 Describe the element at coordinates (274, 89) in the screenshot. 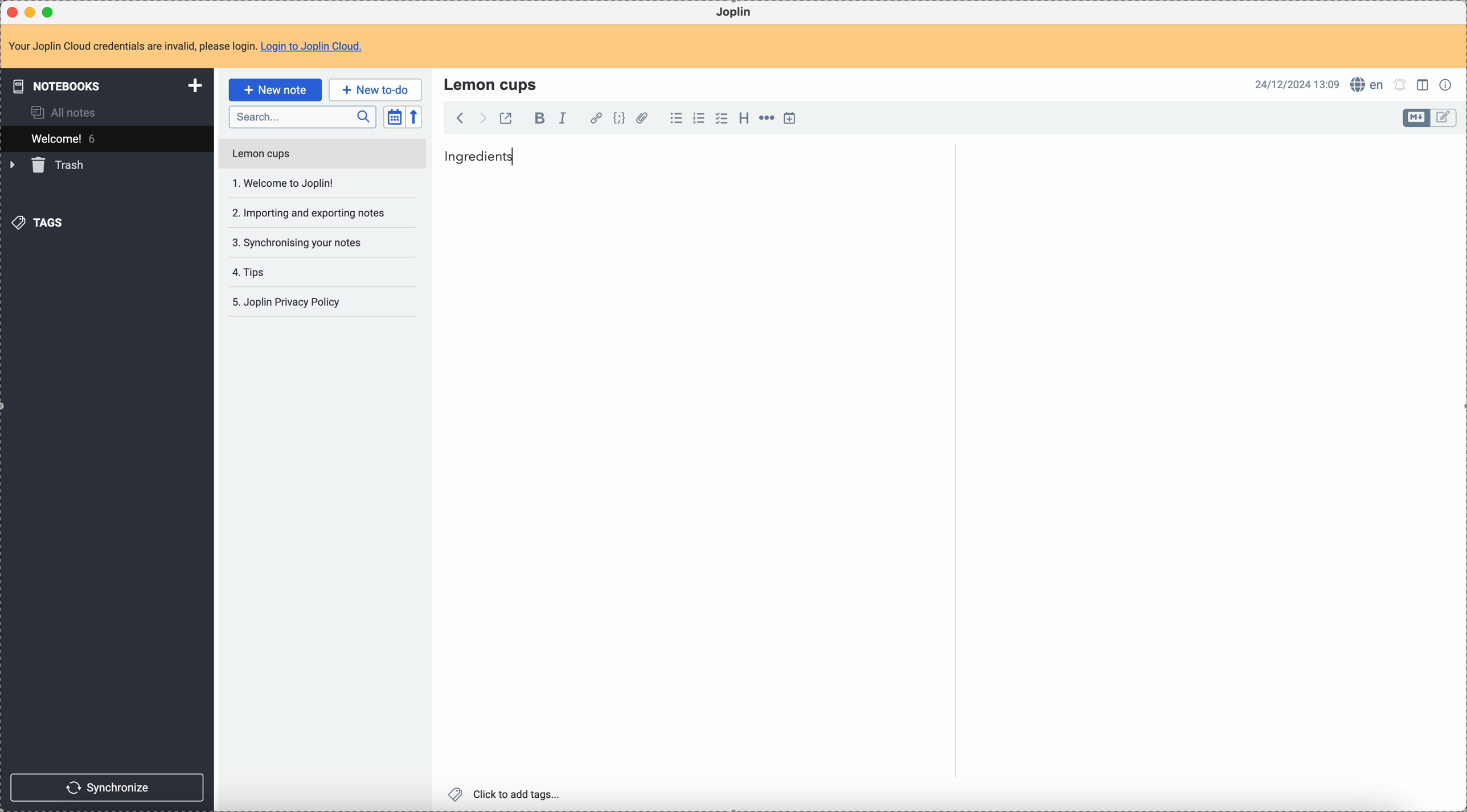

I see `click on new note` at that location.